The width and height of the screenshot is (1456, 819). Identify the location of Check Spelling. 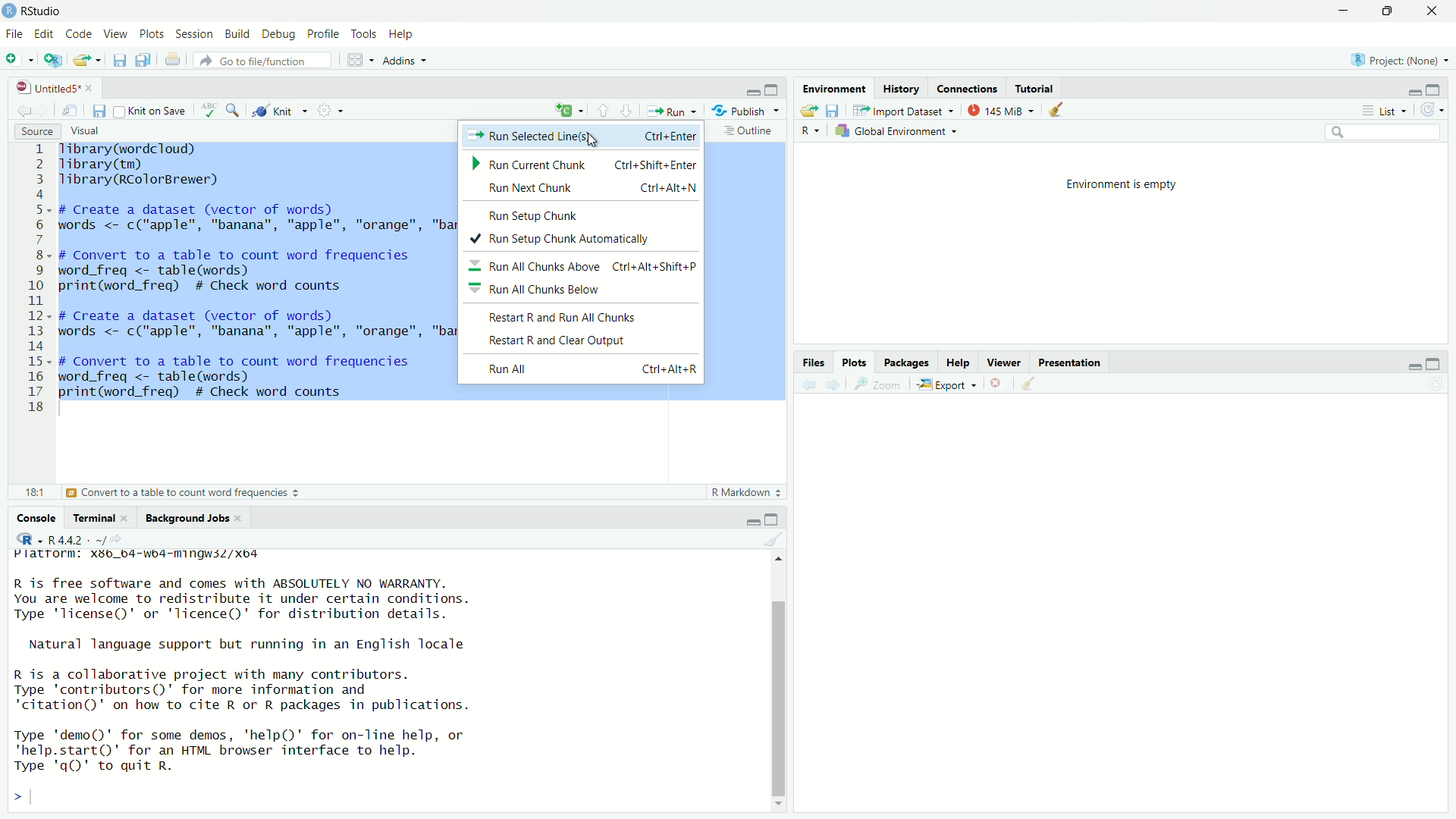
(208, 111).